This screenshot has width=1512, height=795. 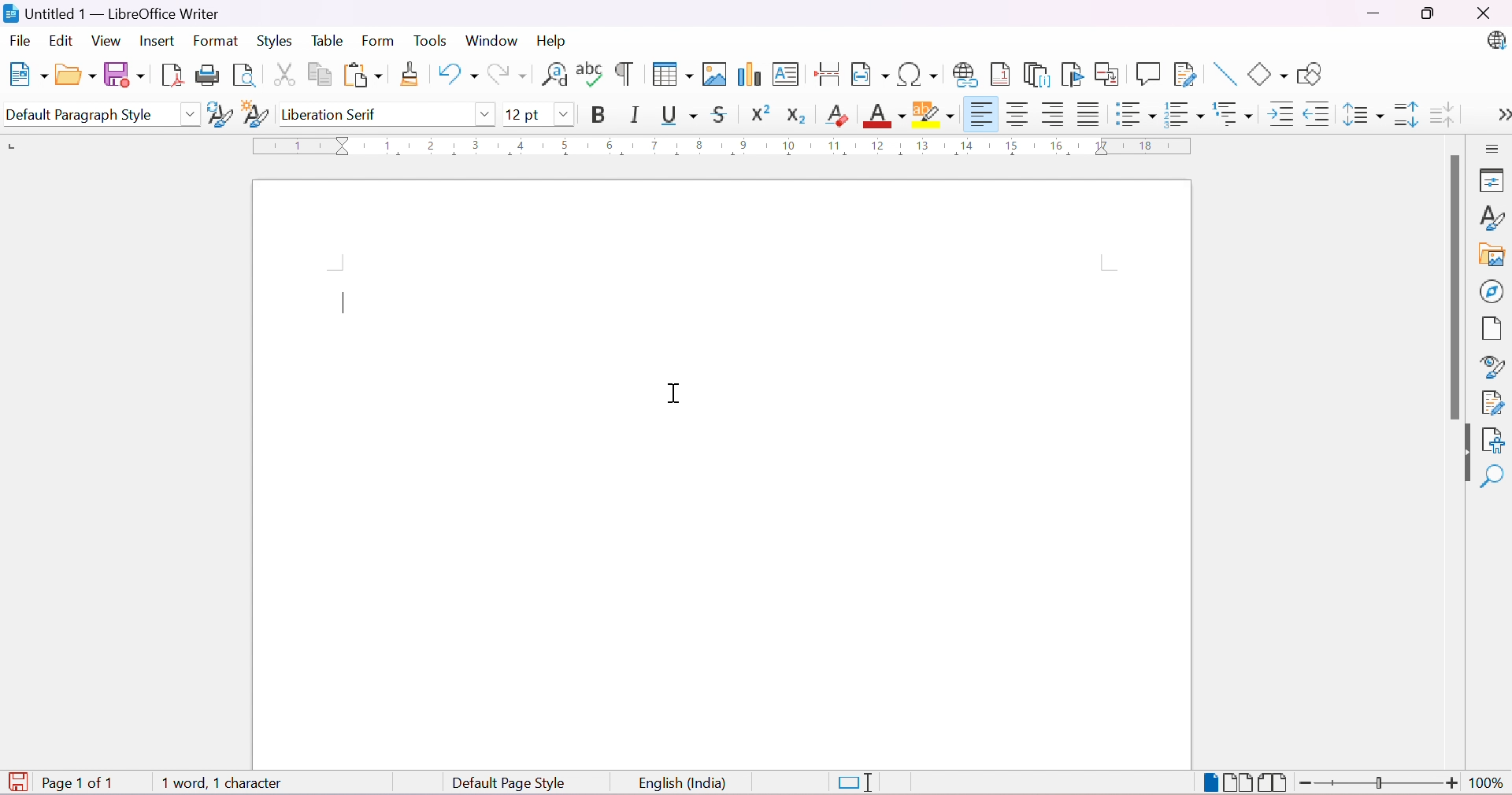 I want to click on Slider, so click(x=1380, y=783).